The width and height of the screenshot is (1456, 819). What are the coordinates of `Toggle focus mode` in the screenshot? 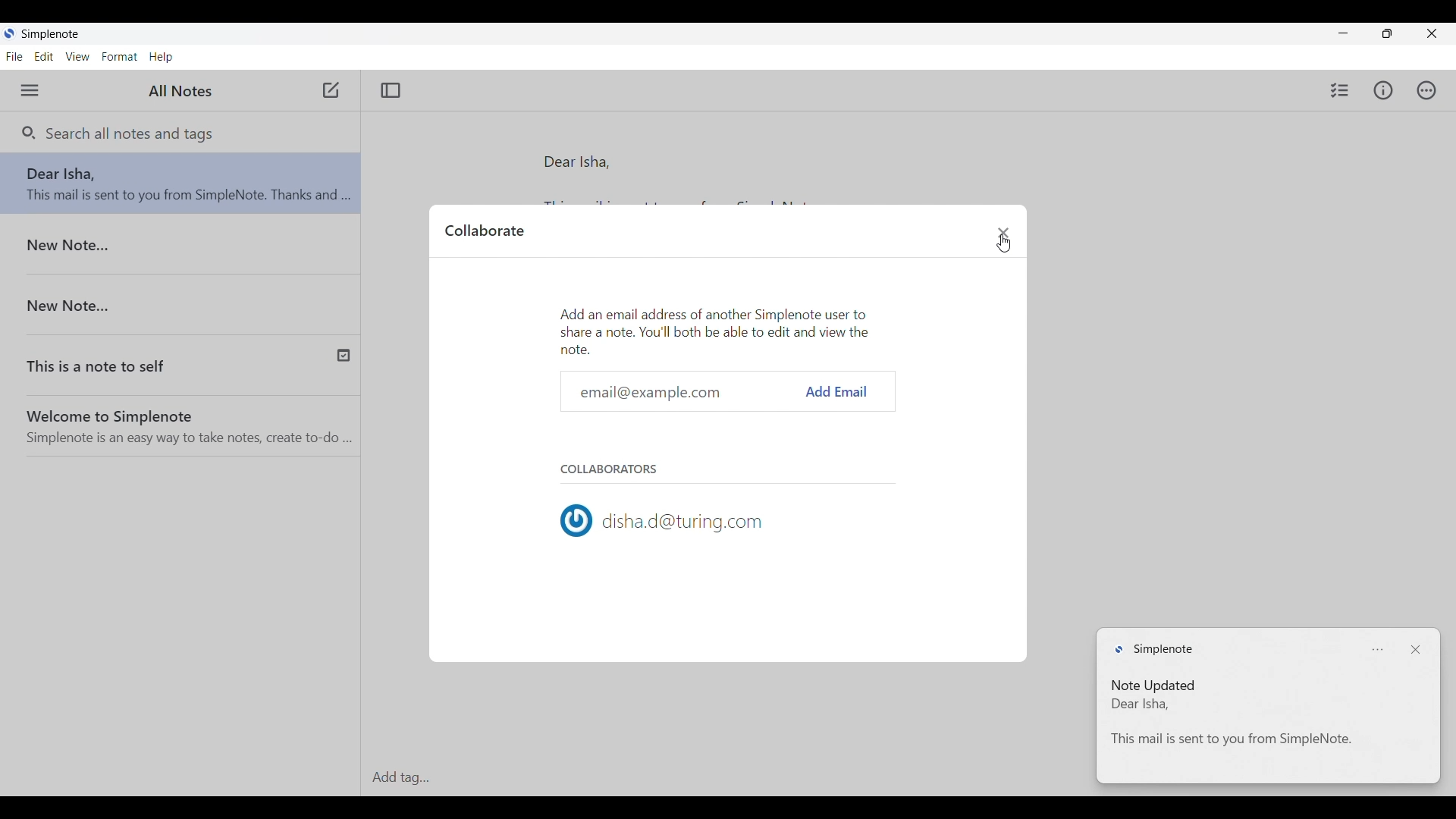 It's located at (391, 90).